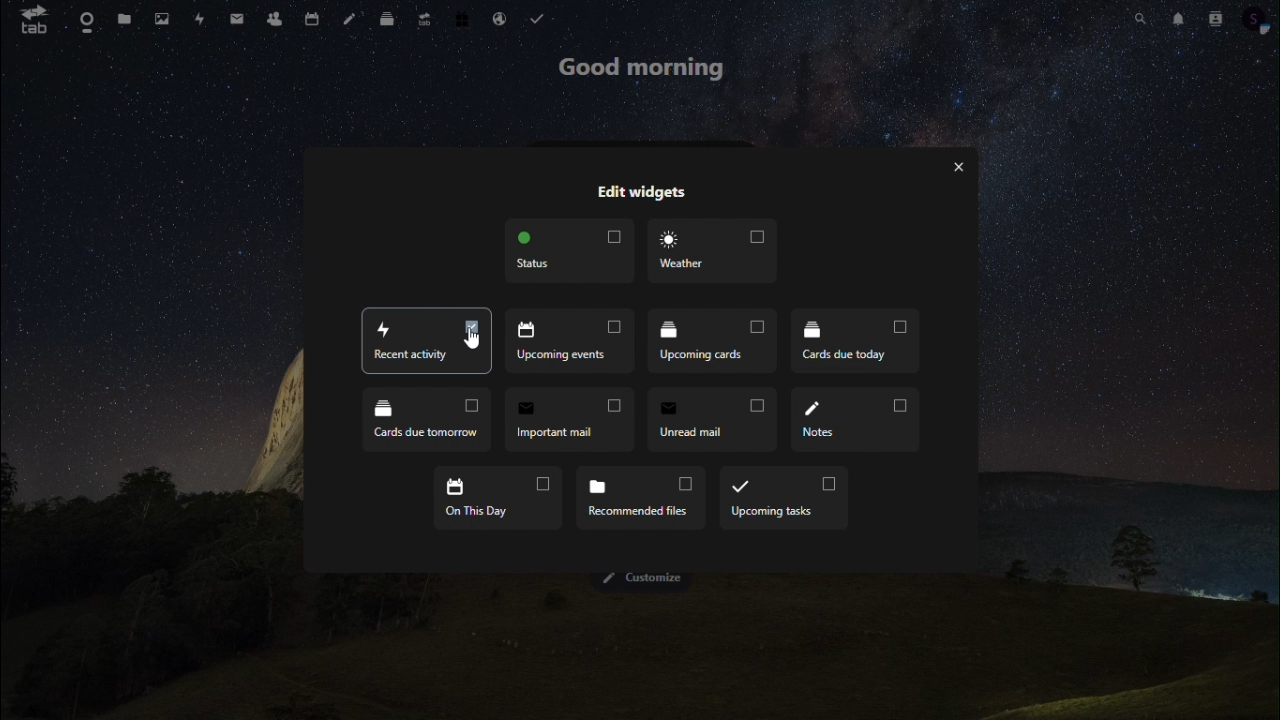 The width and height of the screenshot is (1280, 720). I want to click on message, so click(237, 22).